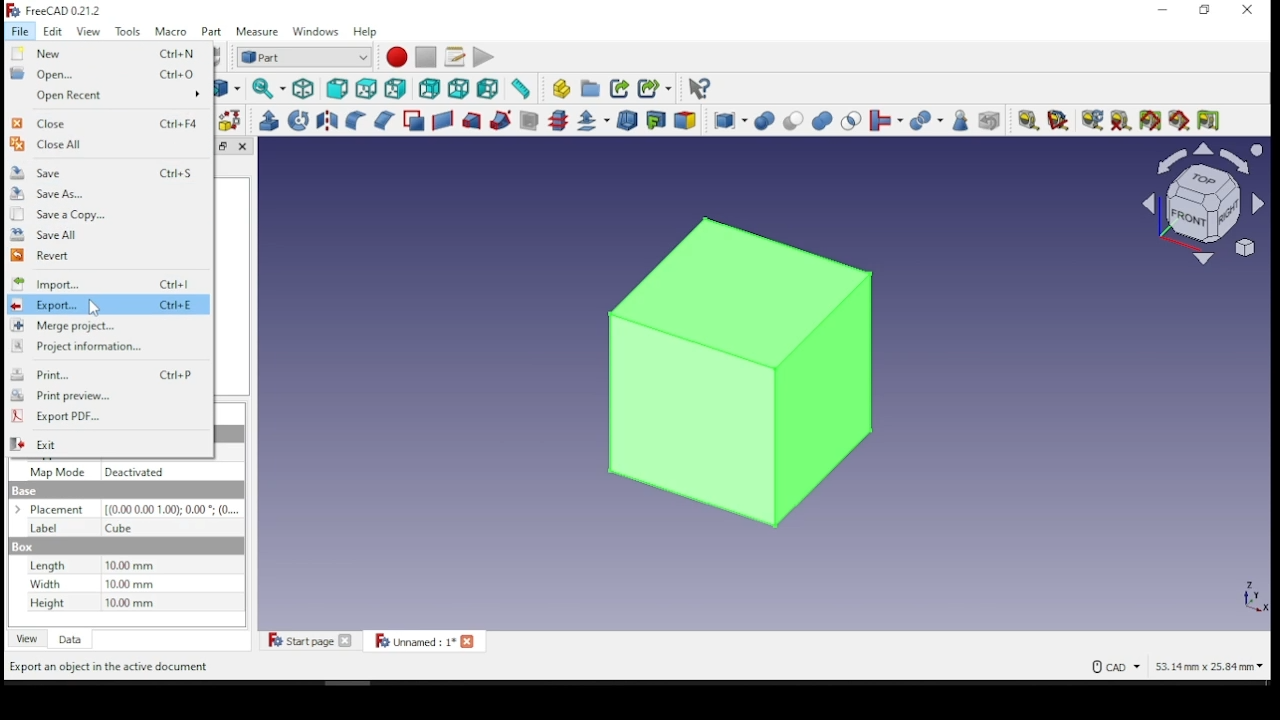  What do you see at coordinates (822, 121) in the screenshot?
I see `union` at bounding box center [822, 121].